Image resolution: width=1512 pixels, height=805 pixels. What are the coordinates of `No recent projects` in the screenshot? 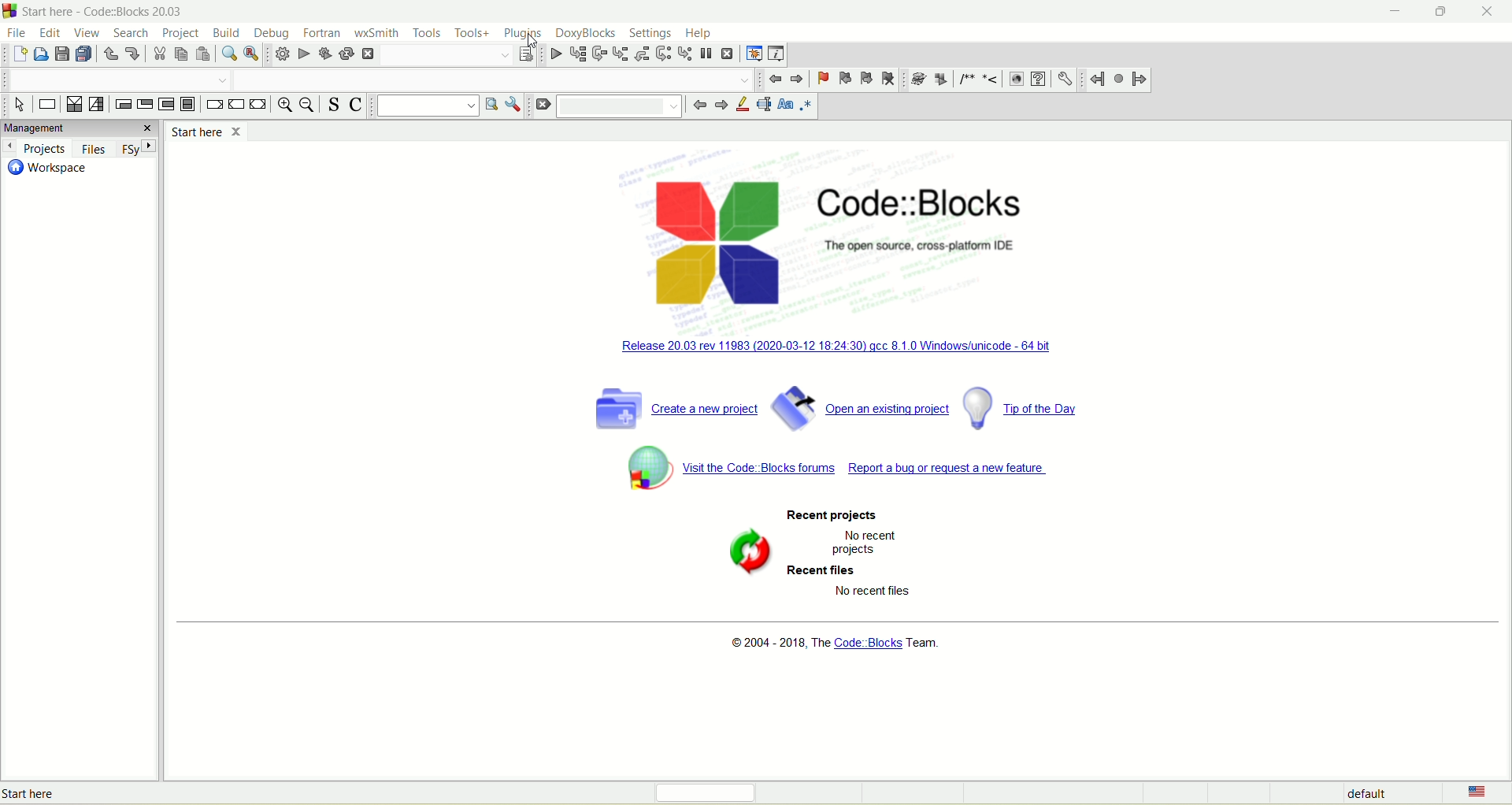 It's located at (862, 542).